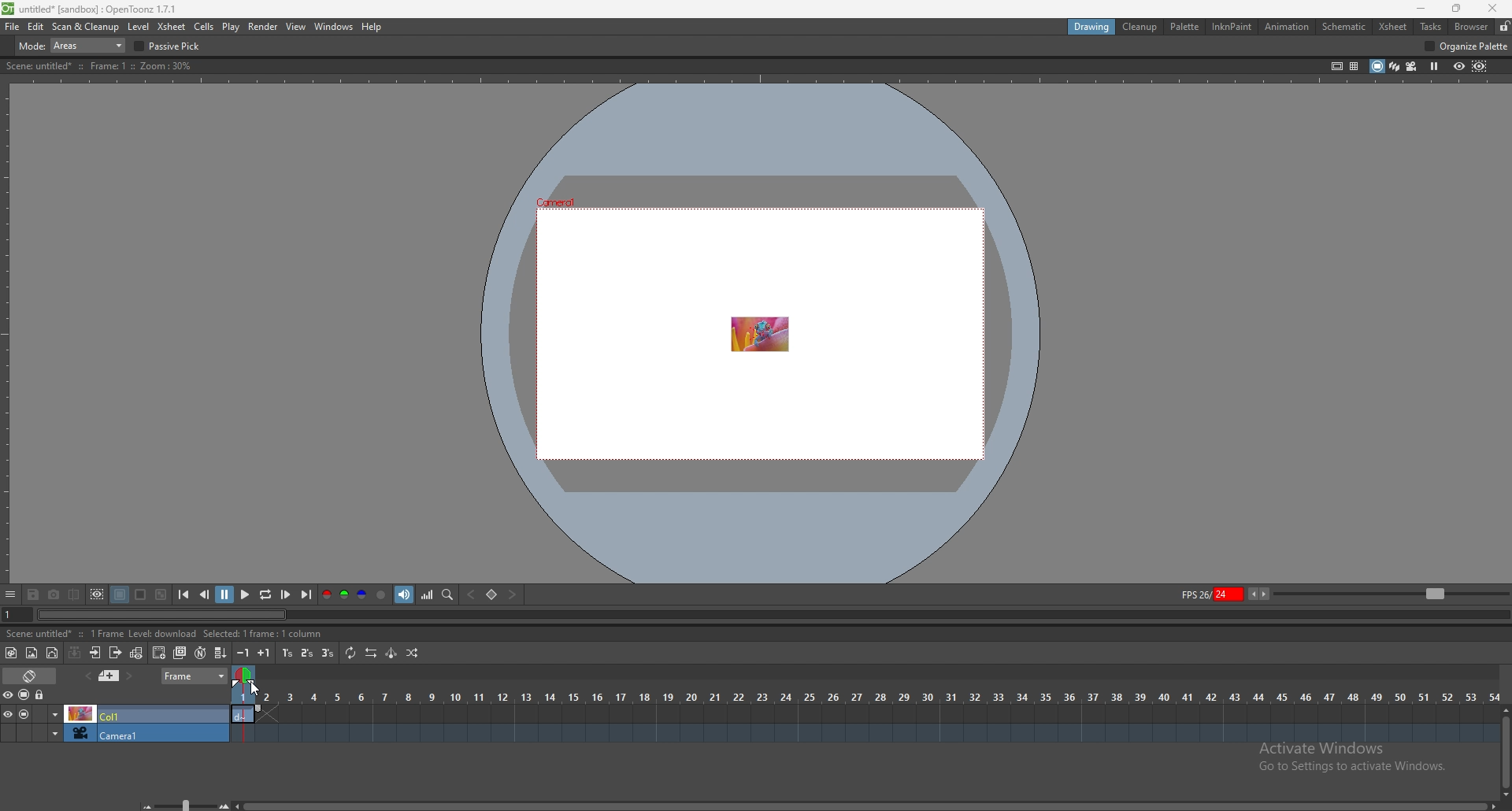 This screenshot has height=811, width=1512. Describe the element at coordinates (1421, 9) in the screenshot. I see `minimize` at that location.